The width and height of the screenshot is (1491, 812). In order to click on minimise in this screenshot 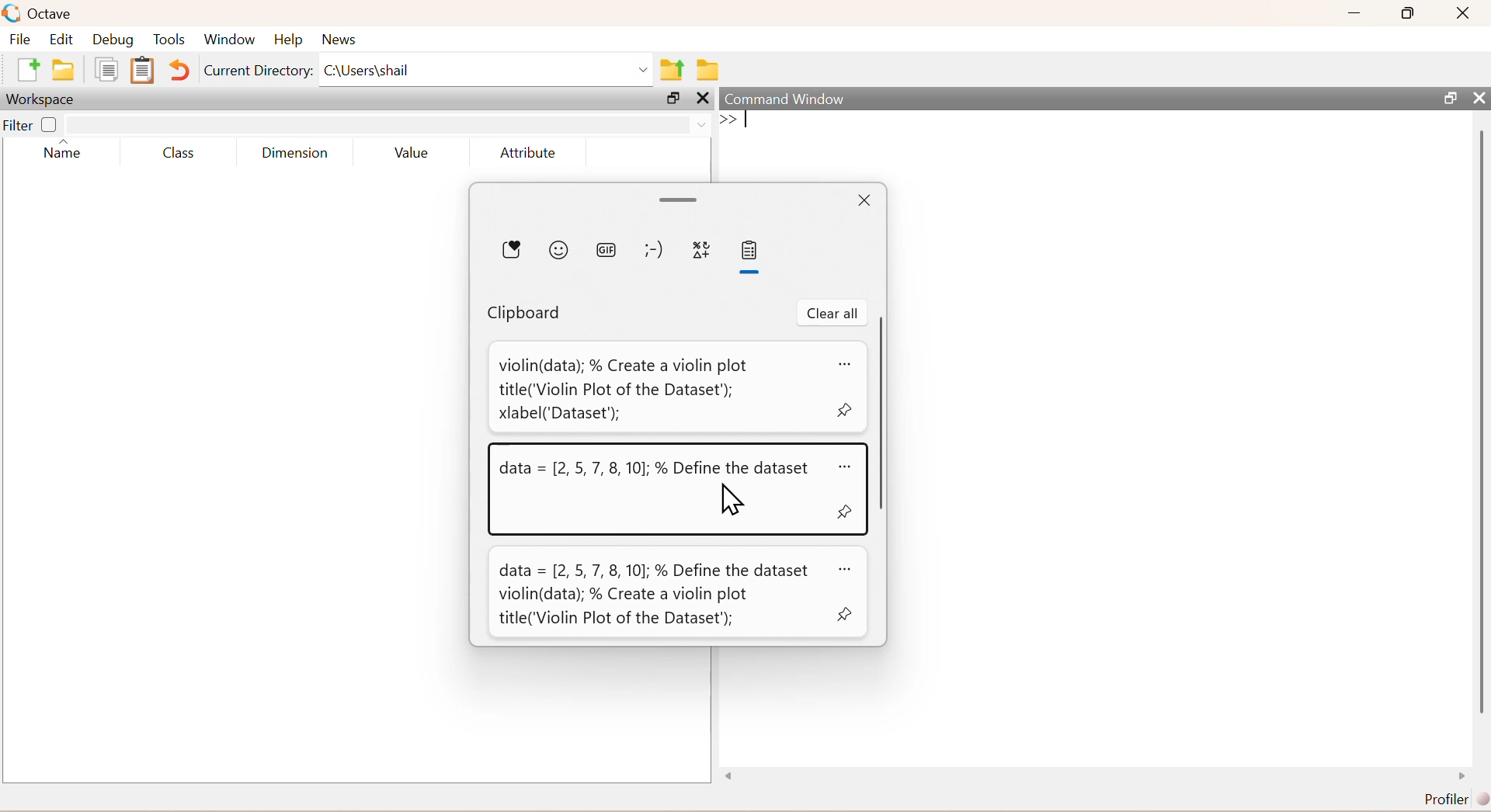, I will do `click(1355, 11)`.